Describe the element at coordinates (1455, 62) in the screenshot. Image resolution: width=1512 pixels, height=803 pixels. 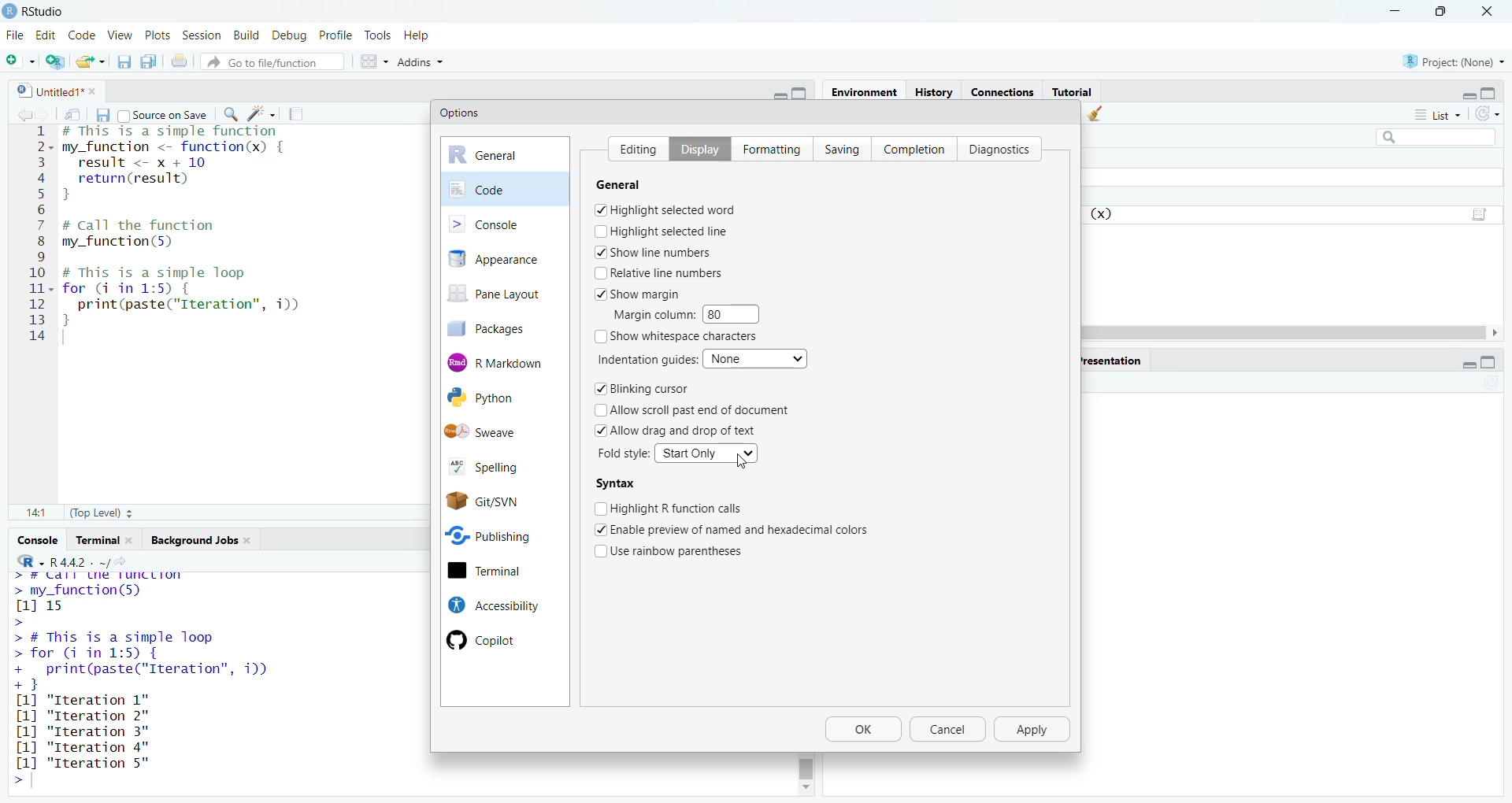
I see `project: (None)` at that location.